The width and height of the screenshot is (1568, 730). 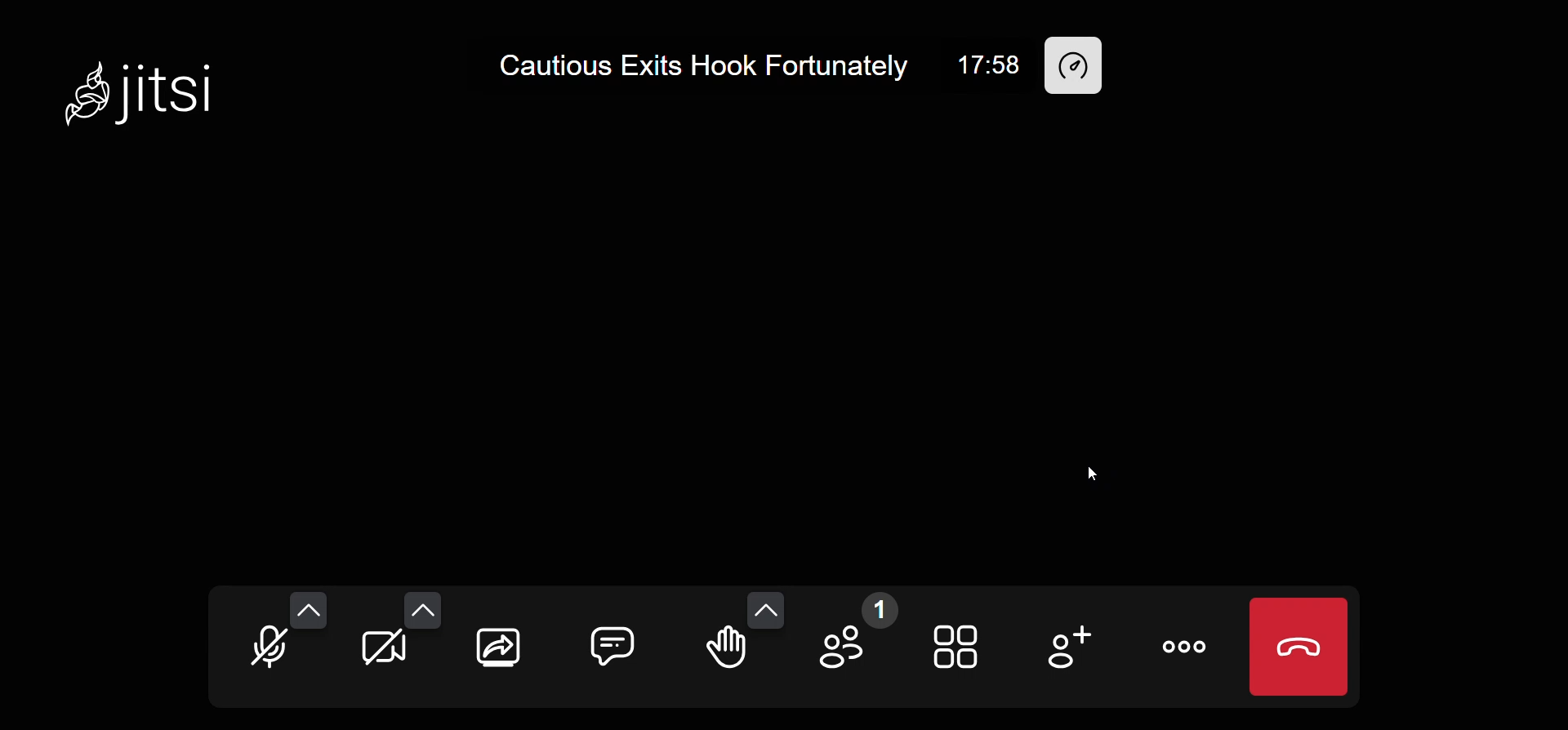 I want to click on more emoji, so click(x=766, y=608).